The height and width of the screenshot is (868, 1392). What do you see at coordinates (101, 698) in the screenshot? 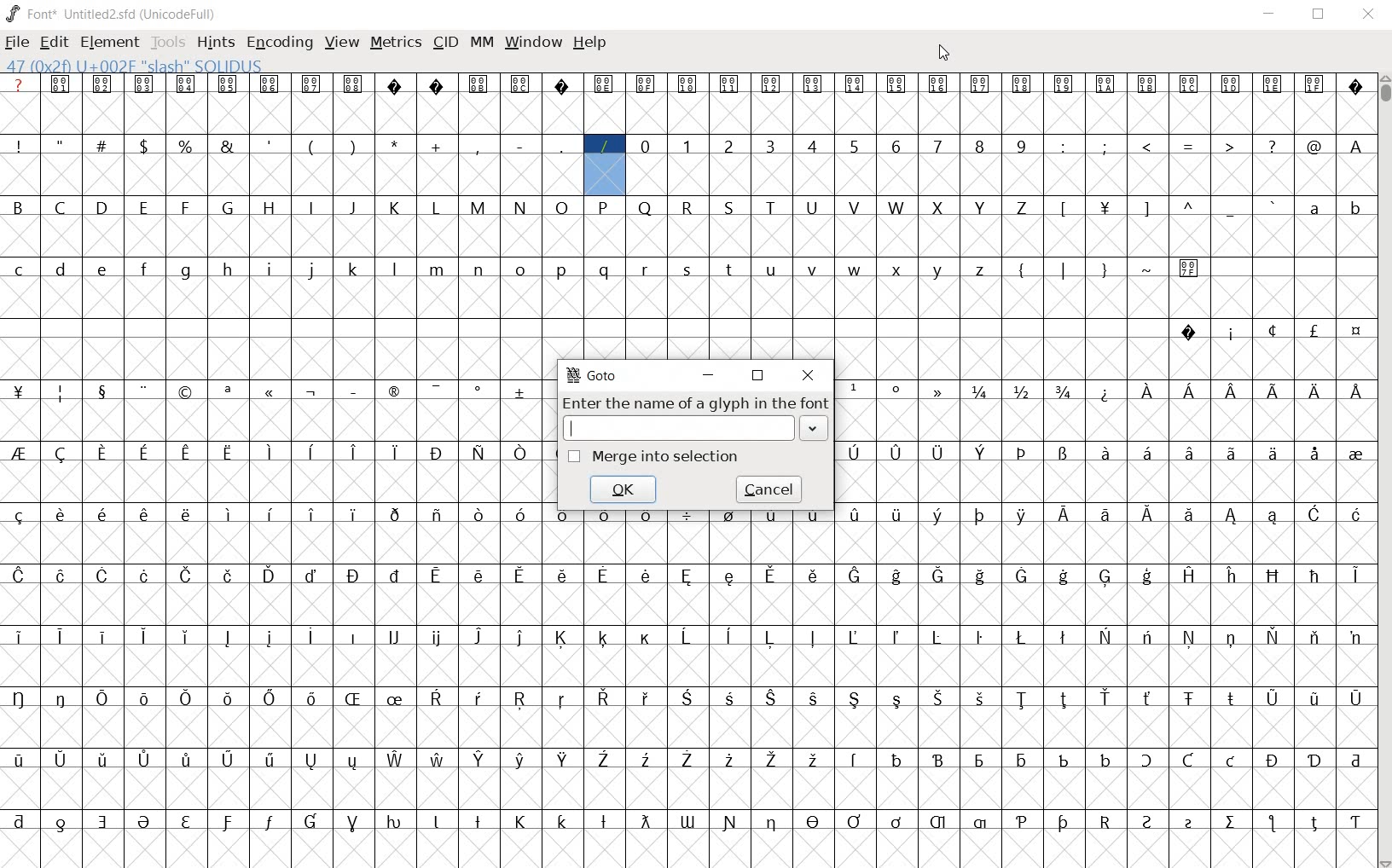
I see `glyph` at bounding box center [101, 698].